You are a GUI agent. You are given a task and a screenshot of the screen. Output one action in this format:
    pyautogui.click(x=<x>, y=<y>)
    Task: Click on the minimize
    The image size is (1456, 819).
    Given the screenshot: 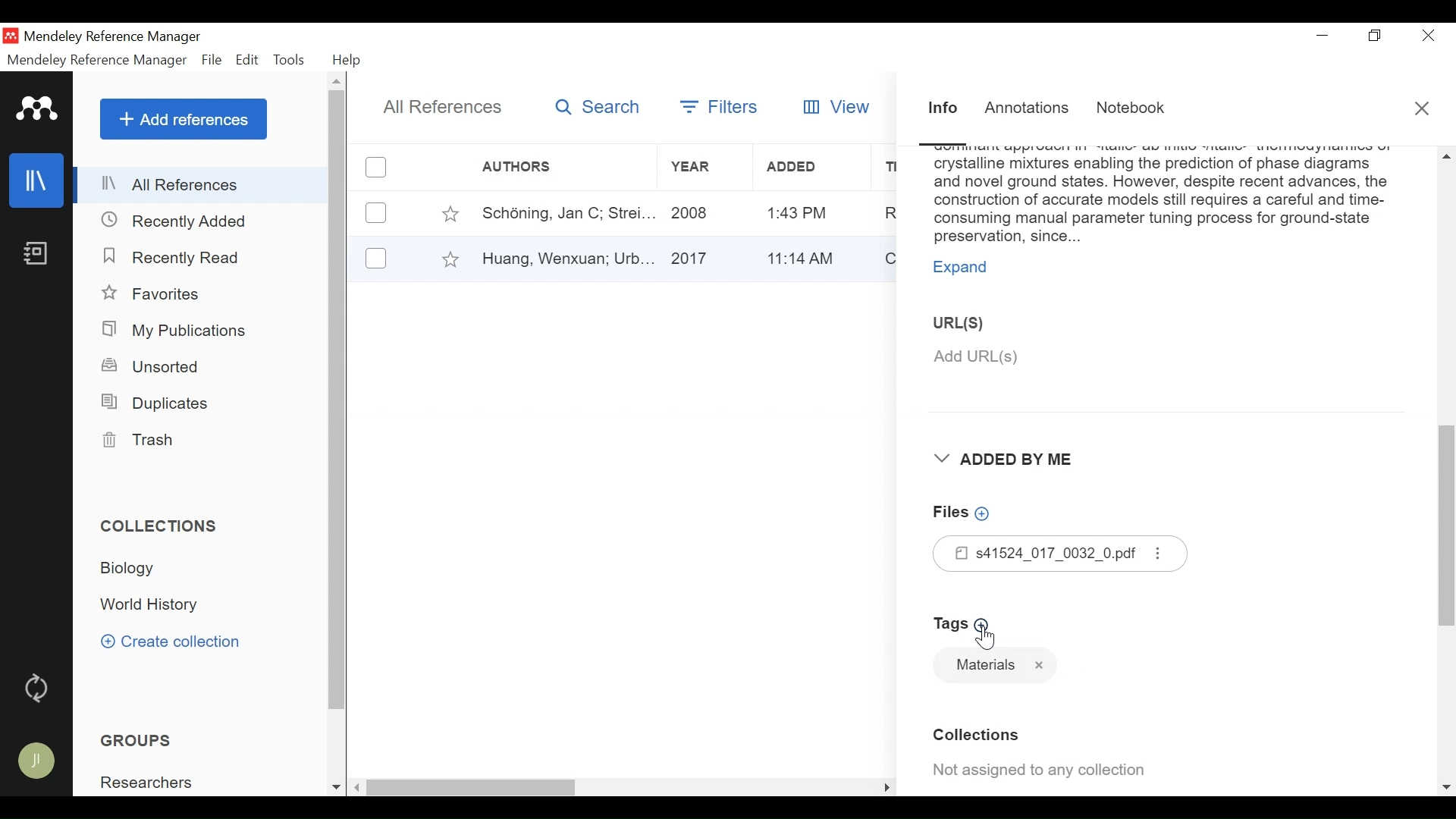 What is the action you would take?
    pyautogui.click(x=1323, y=36)
    